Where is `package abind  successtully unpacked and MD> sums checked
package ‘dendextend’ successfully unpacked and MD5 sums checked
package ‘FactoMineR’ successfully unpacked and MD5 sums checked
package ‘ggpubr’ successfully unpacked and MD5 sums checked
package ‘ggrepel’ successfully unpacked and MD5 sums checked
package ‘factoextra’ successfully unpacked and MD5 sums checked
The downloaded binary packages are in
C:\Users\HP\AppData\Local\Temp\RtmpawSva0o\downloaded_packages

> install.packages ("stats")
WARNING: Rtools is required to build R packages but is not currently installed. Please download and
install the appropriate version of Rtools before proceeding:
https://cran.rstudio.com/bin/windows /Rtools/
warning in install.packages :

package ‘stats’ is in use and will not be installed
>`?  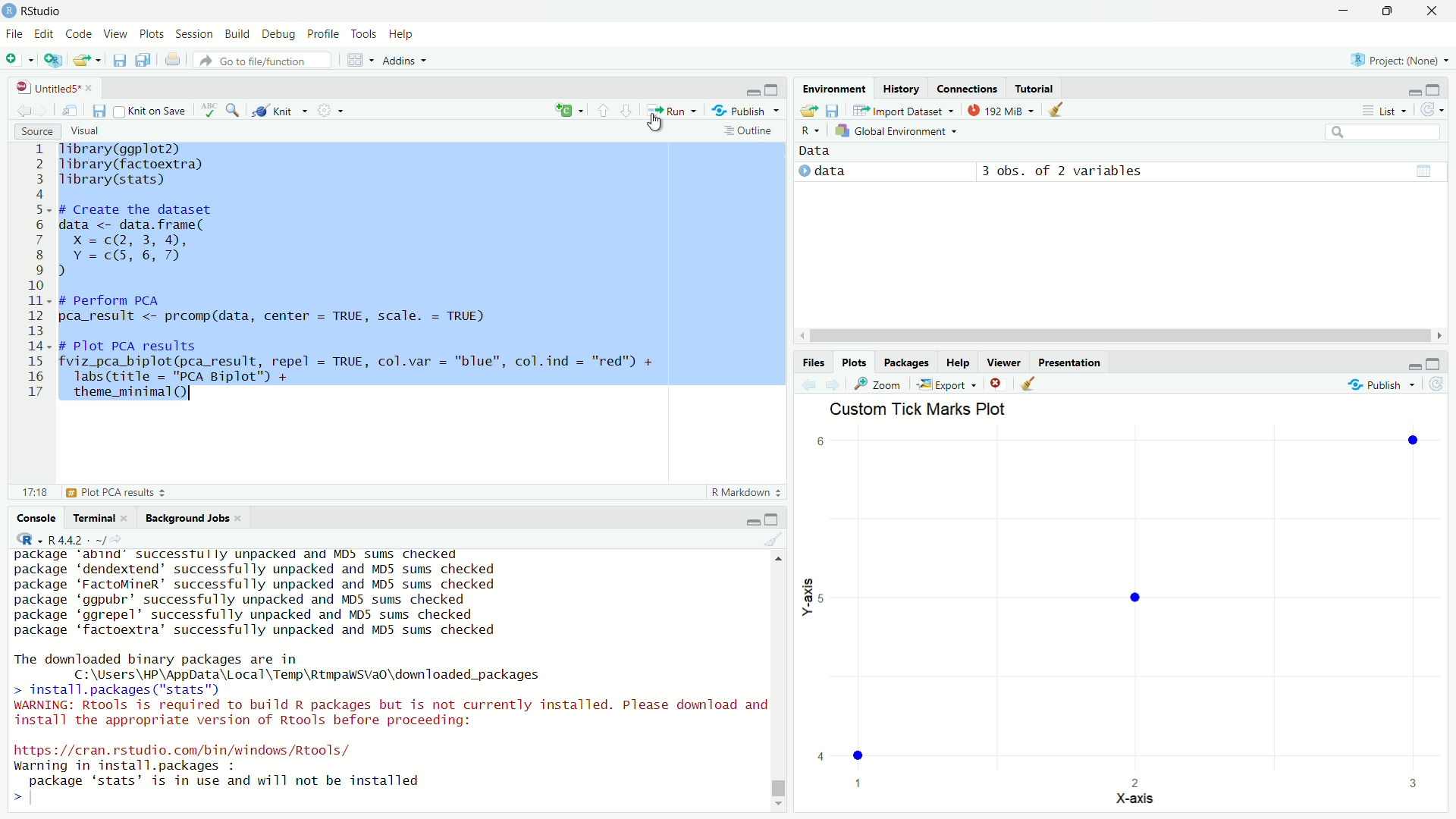 package abind  successtully unpacked and MD> sums checked
package ‘dendextend’ successfully unpacked and MD5 sums checked
package ‘FactoMineR’ successfully unpacked and MD5 sums checked
package ‘ggpubr’ successfully unpacked and MD5 sums checked
package ‘ggrepel’ successfully unpacked and MD5 sums checked
package ‘factoextra’ successfully unpacked and MD5 sums checked
The downloaded binary packages are in
C:\Users\HP\AppData\Local\Temp\RtmpawSva0o\downloaded_packages

> install.packages ("stats")
WARNING: Rtools is required to build R packages but is not currently installed. Please download and
install the appropriate version of Rtools before proceeding:
https://cran.rstudio.com/bin/windows /Rtools/
warning in install.packages :

package ‘stats’ is in use and will not be installed
> is located at coordinates (389, 677).